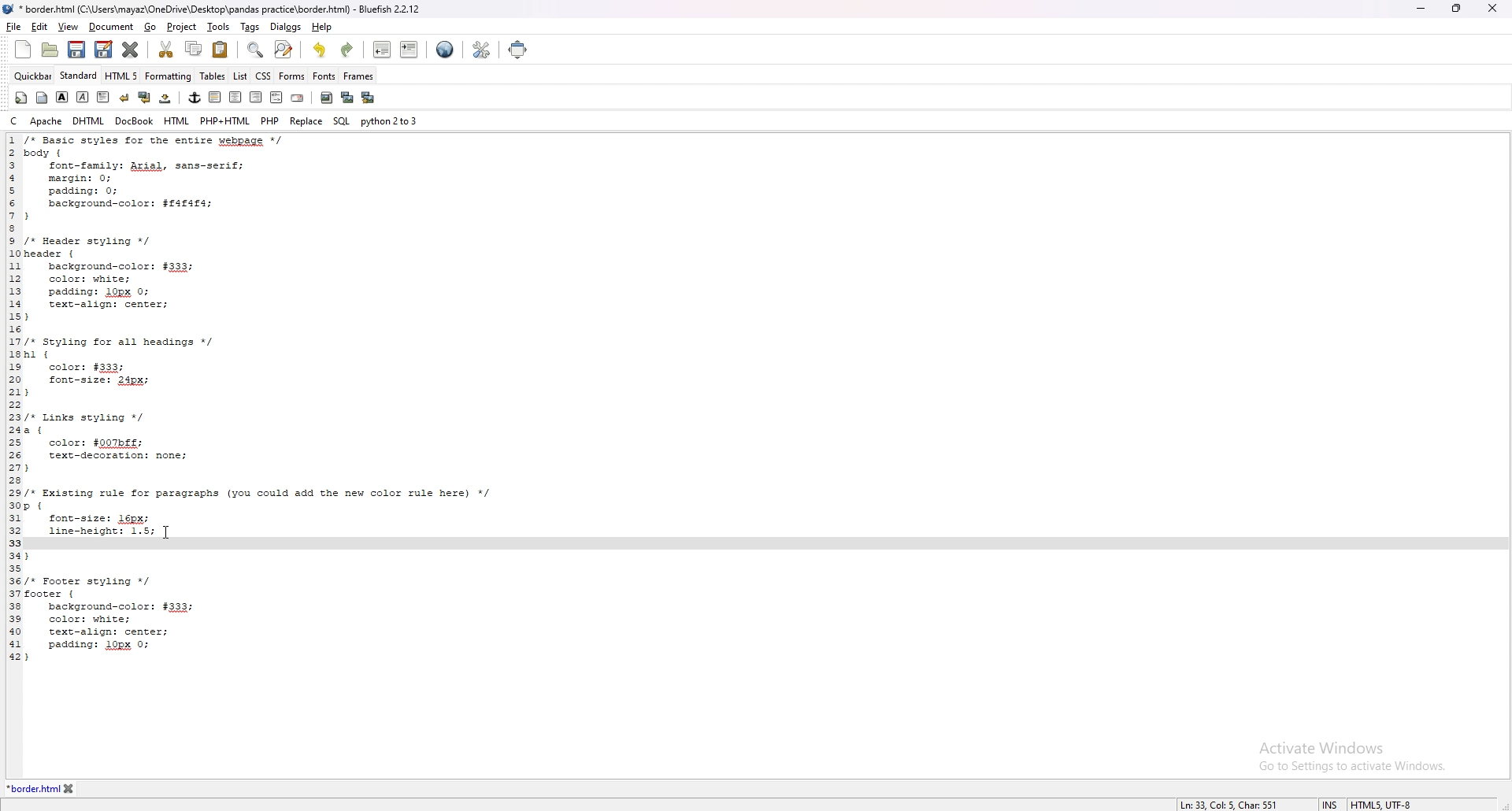  What do you see at coordinates (145, 97) in the screenshot?
I see `break and clear` at bounding box center [145, 97].